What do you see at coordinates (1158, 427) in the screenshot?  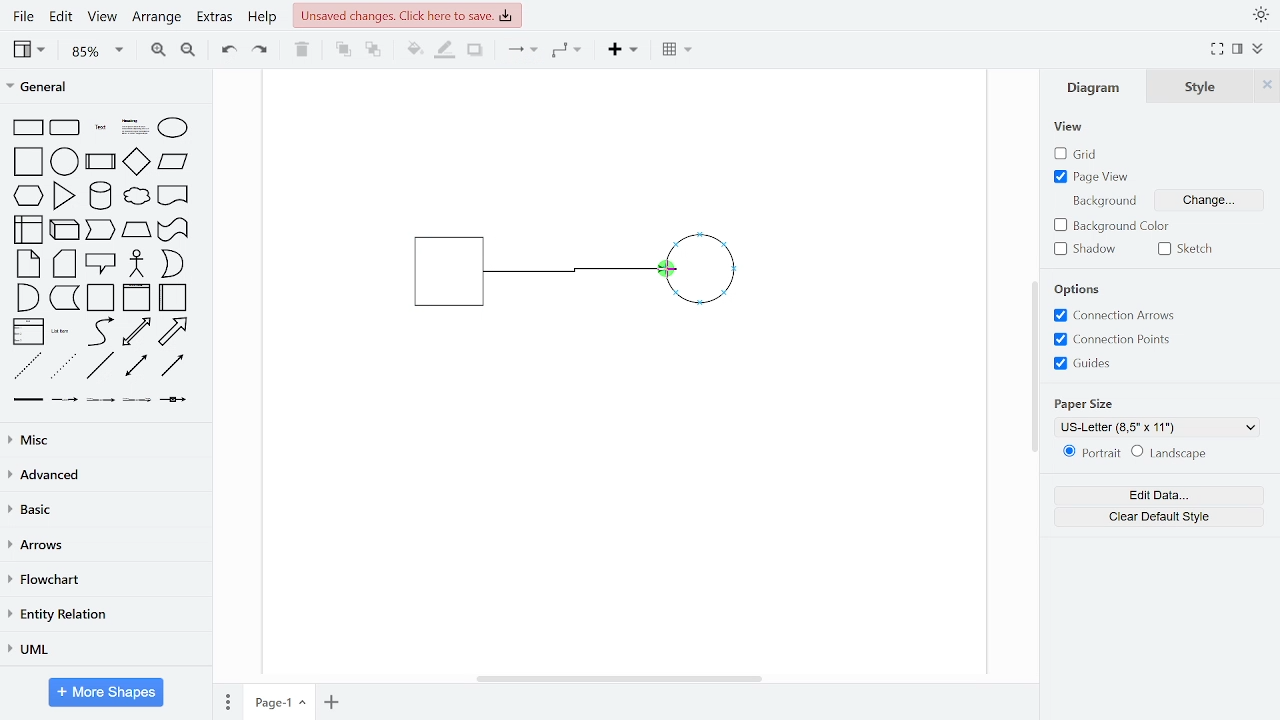 I see `current paper size` at bounding box center [1158, 427].